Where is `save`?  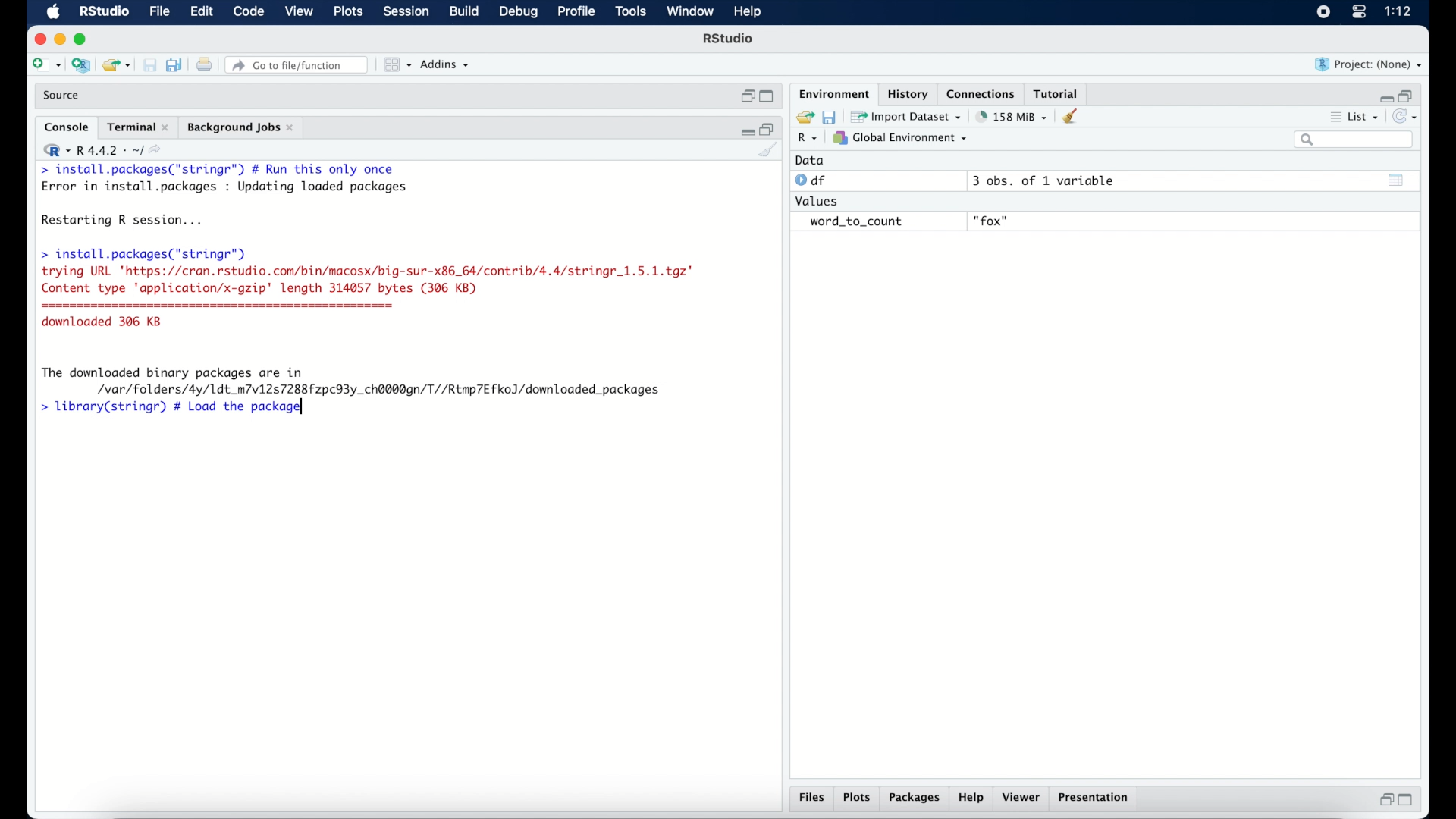
save is located at coordinates (152, 66).